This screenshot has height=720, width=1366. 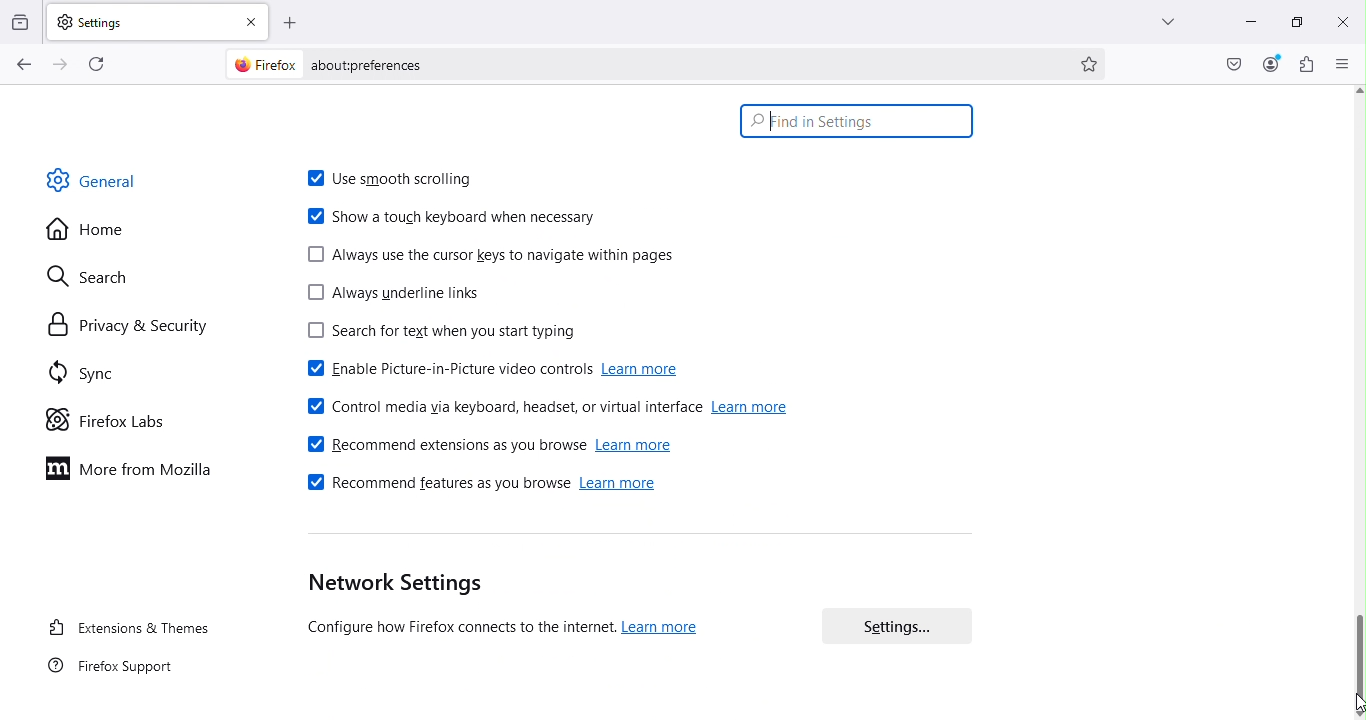 What do you see at coordinates (448, 219) in the screenshot?
I see `Show a touch keyboard when necessary` at bounding box center [448, 219].